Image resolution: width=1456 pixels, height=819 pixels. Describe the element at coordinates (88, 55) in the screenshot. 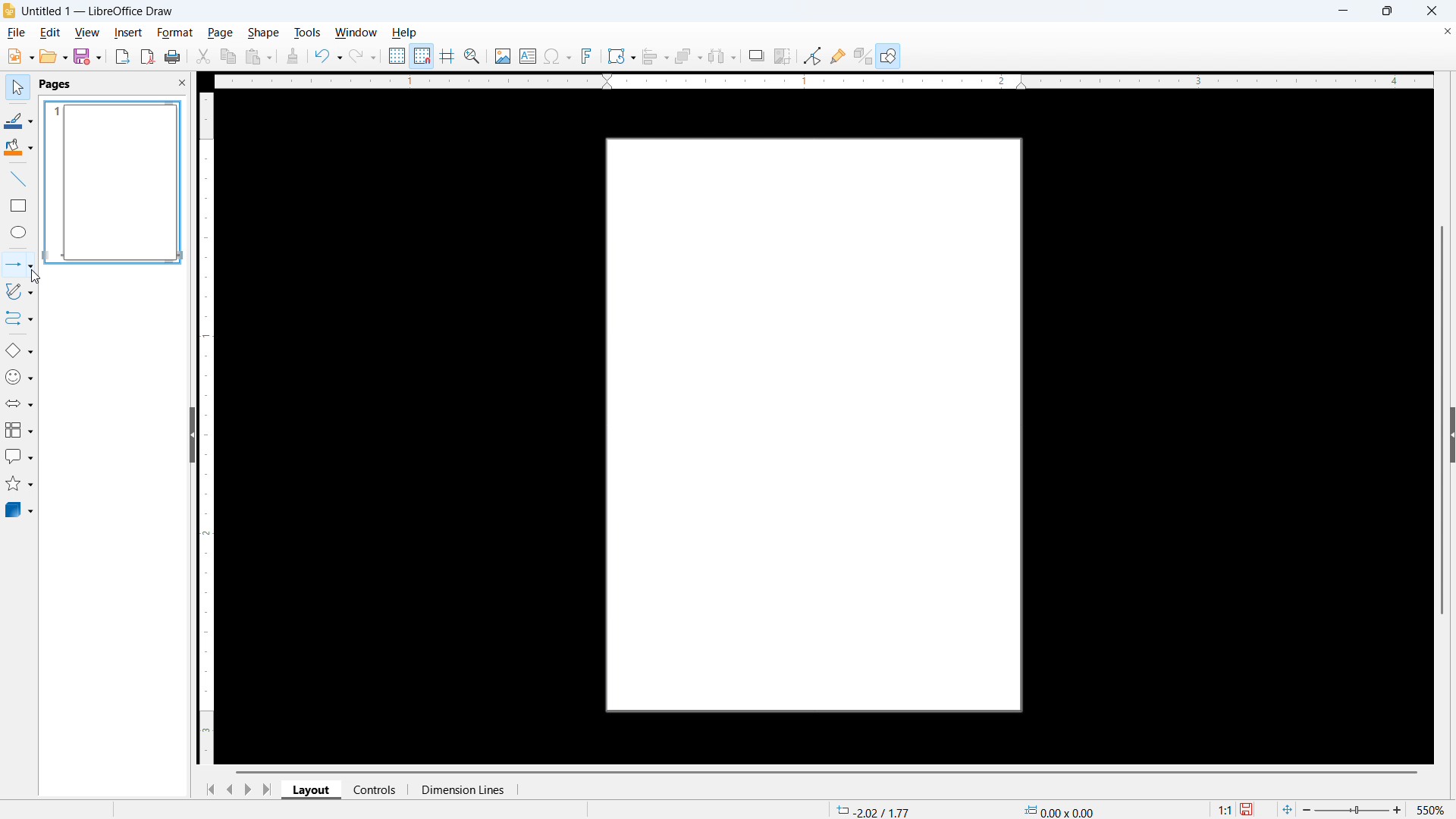

I see `save ` at that location.